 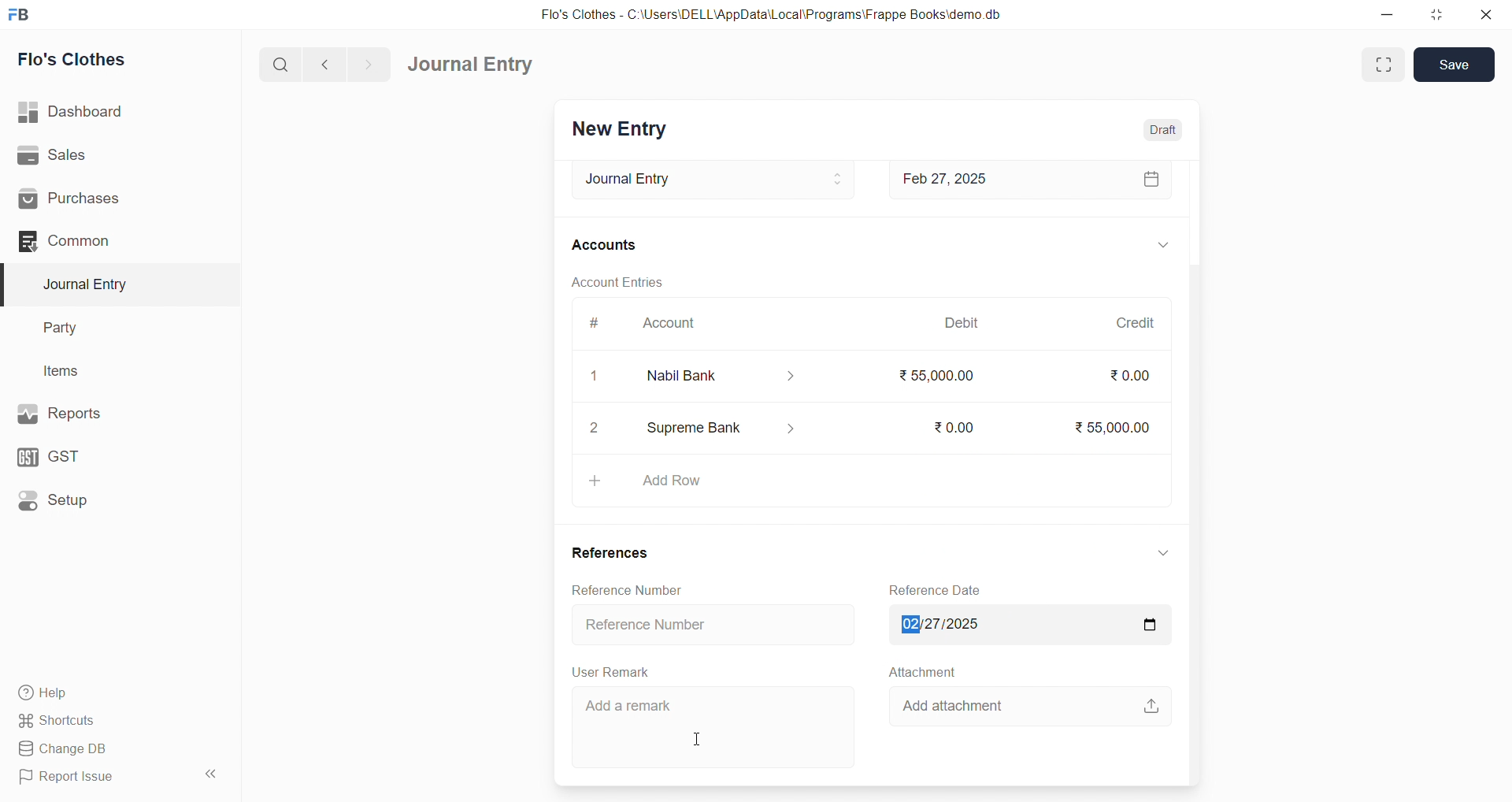 What do you see at coordinates (86, 113) in the screenshot?
I see `| Dashboard` at bounding box center [86, 113].